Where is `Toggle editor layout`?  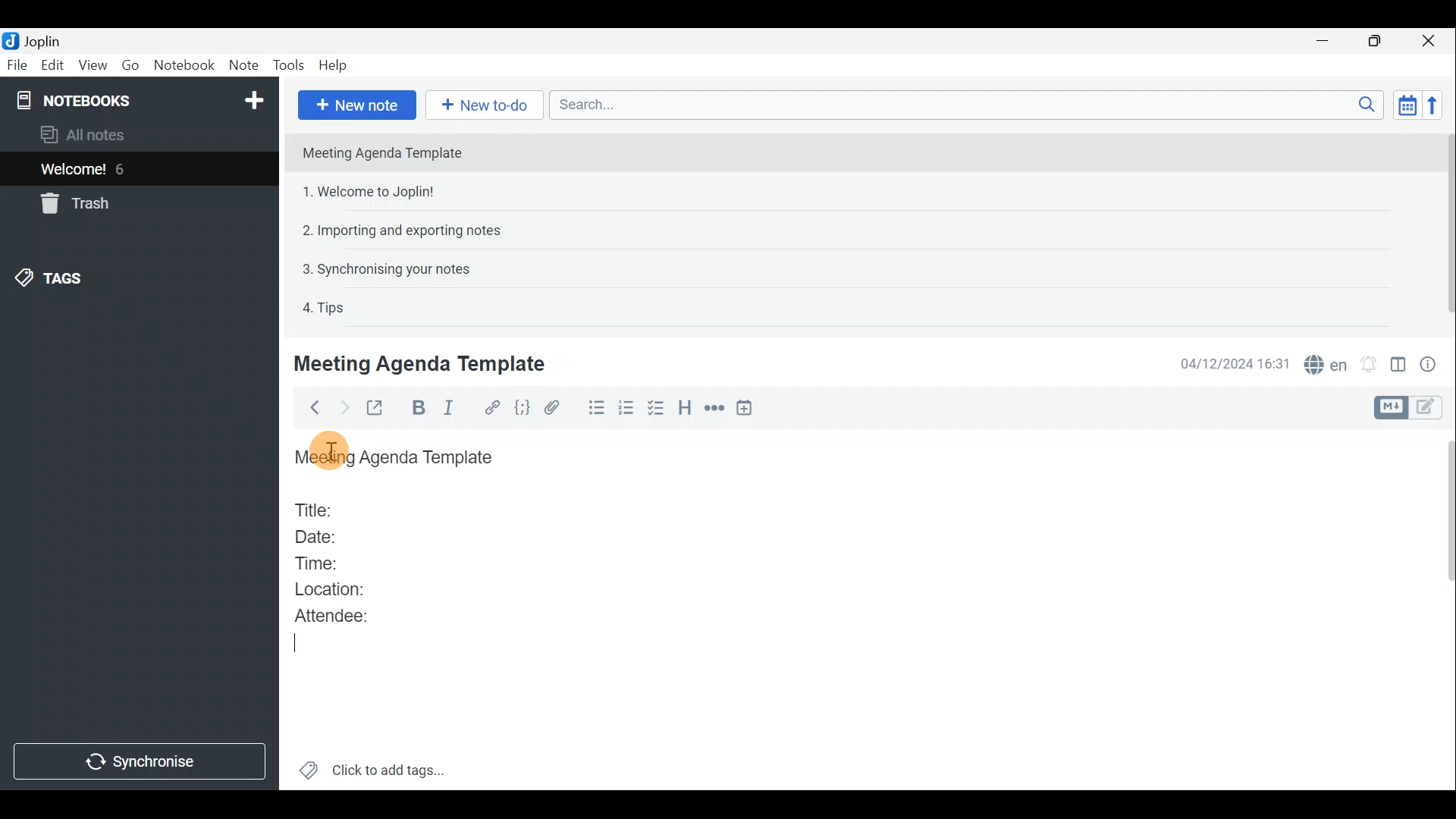
Toggle editor layout is located at coordinates (1399, 367).